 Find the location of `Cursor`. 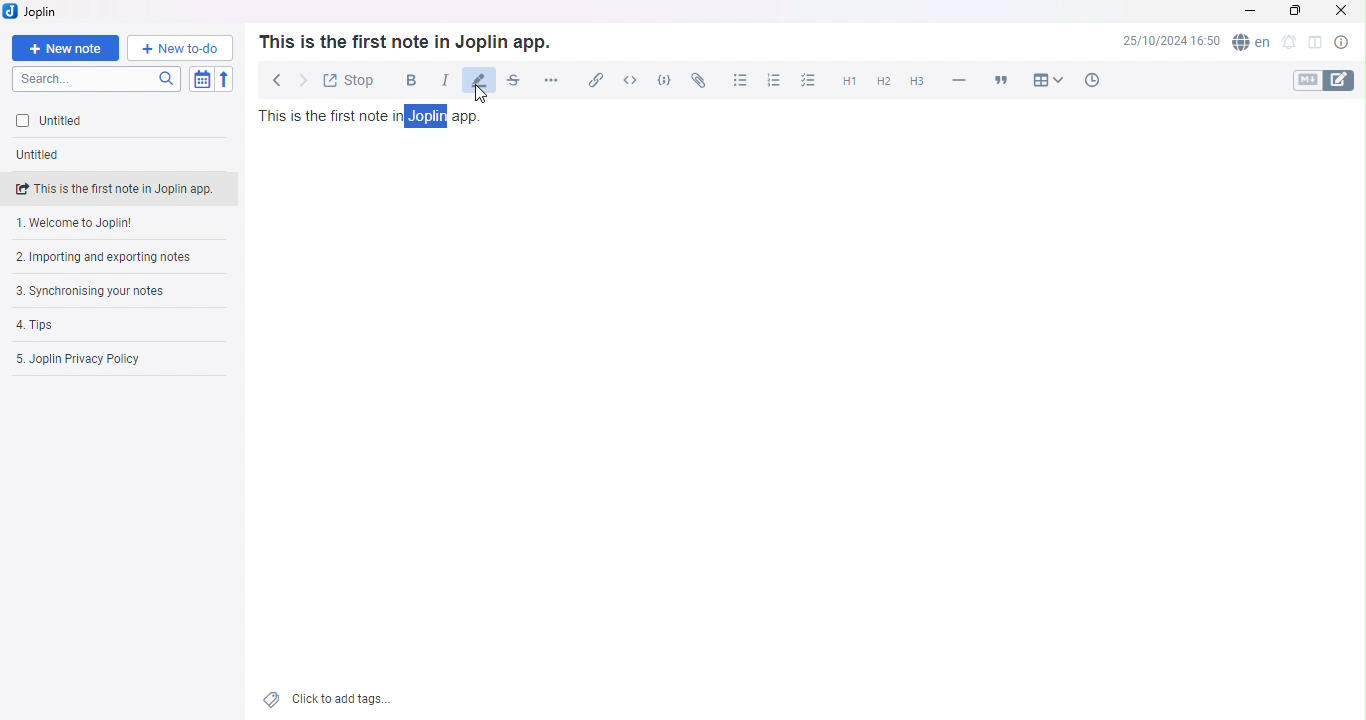

Cursor is located at coordinates (482, 95).